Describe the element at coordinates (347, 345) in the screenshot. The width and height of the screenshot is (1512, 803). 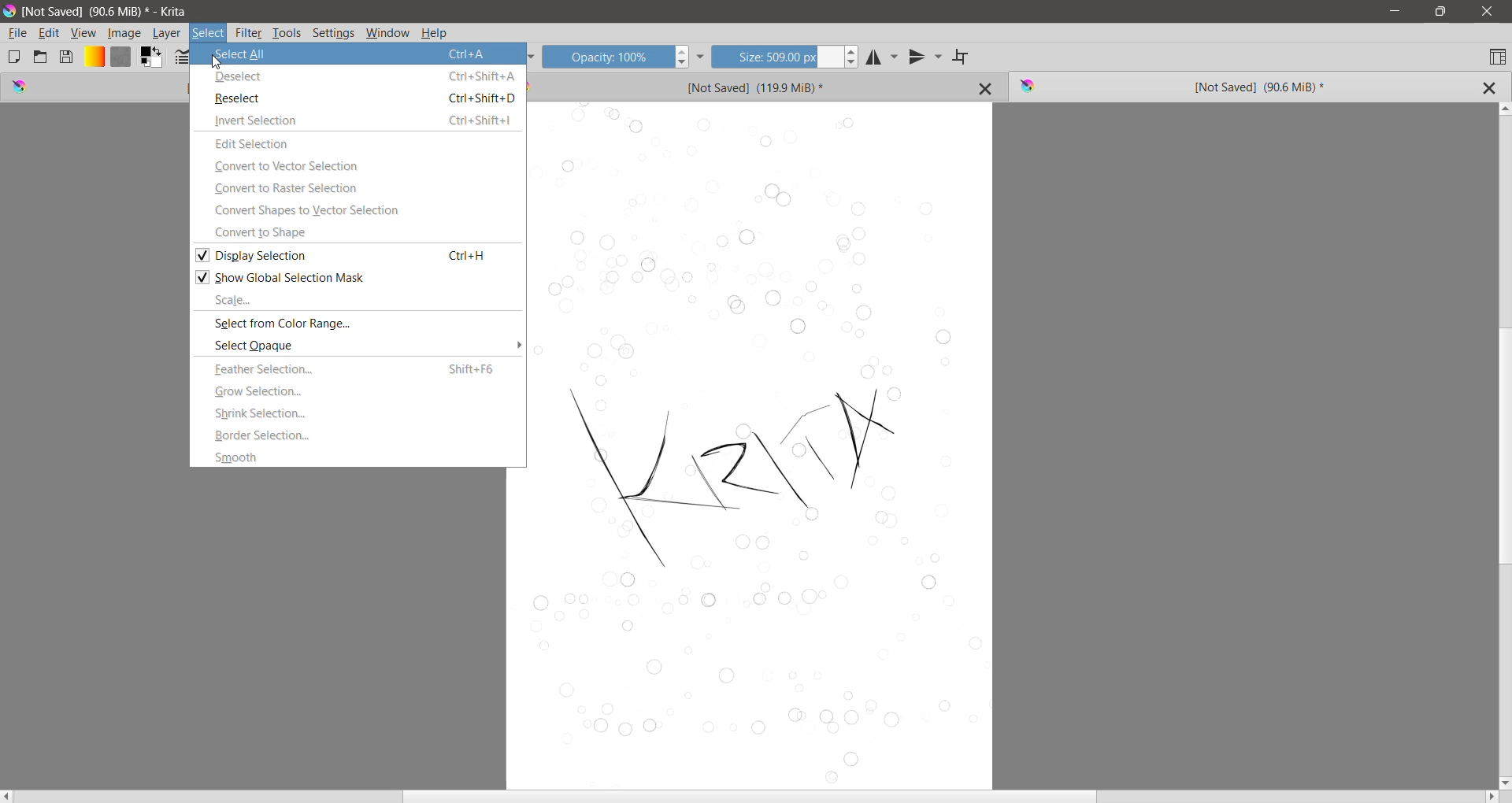
I see `Select Opaque` at that location.